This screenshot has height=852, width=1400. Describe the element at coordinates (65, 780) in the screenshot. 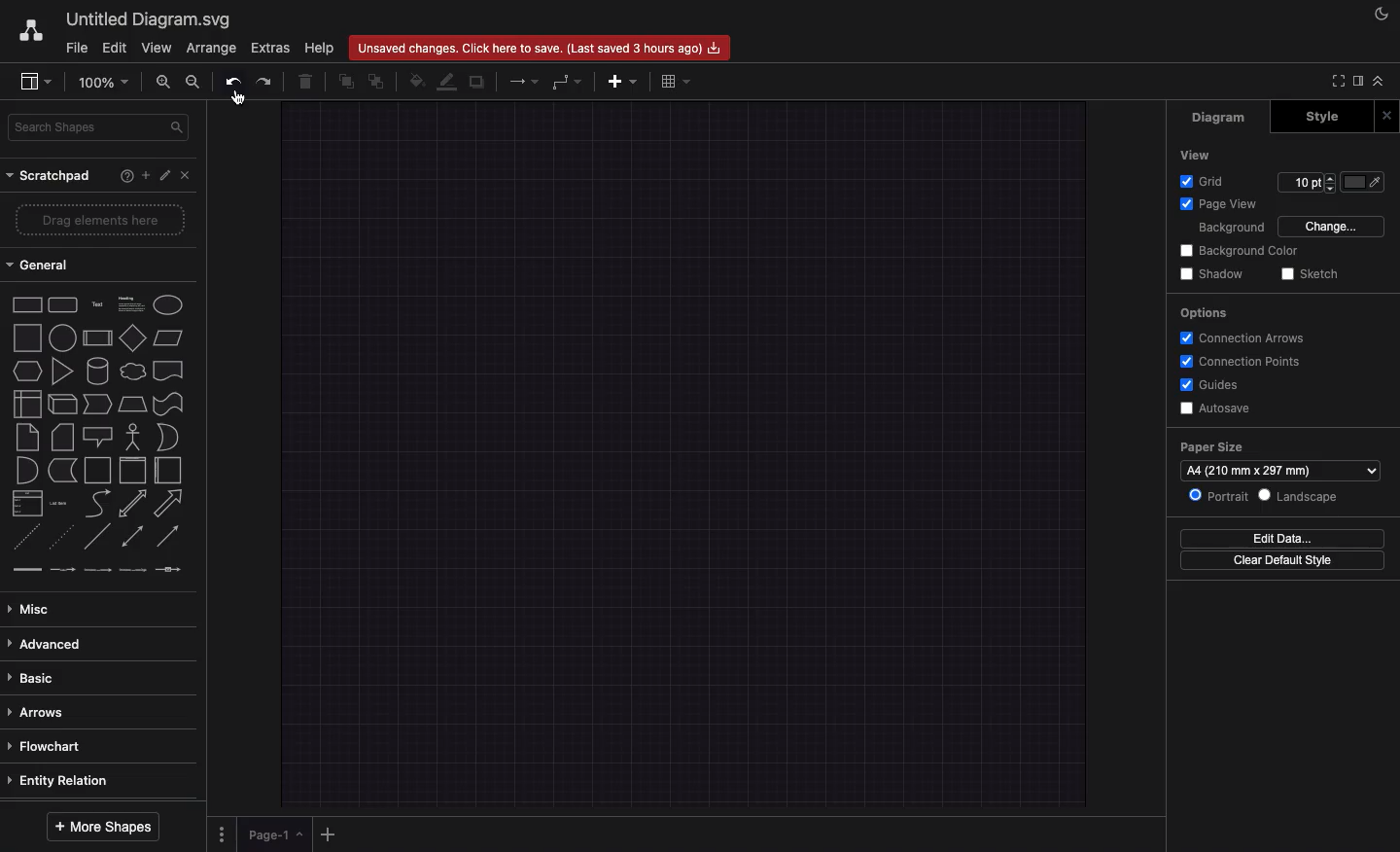

I see `Entity rotation` at that location.